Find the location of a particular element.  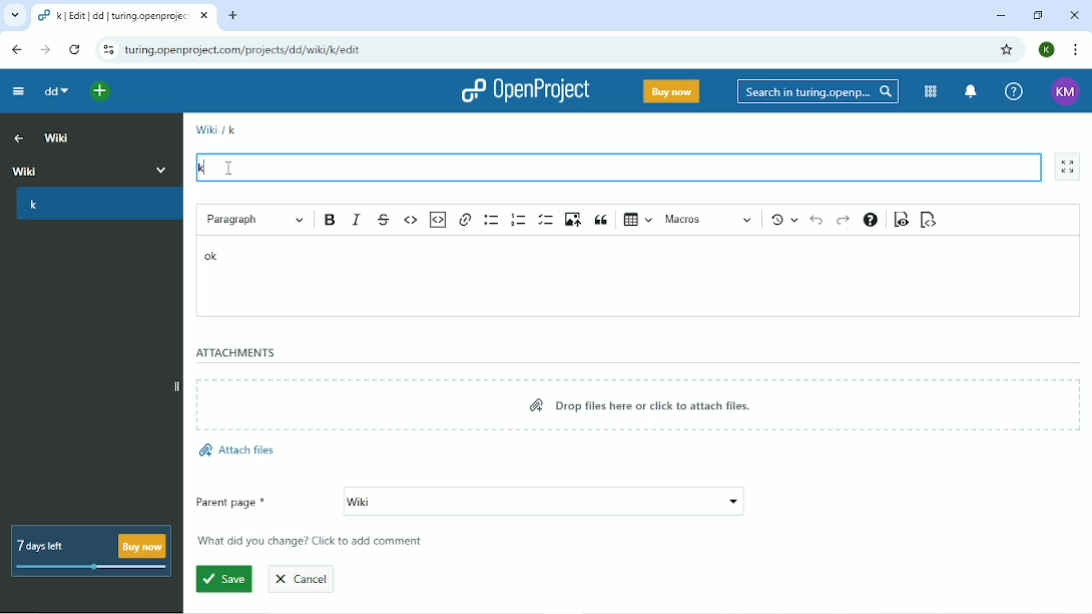

Toggle preview mode is located at coordinates (901, 220).